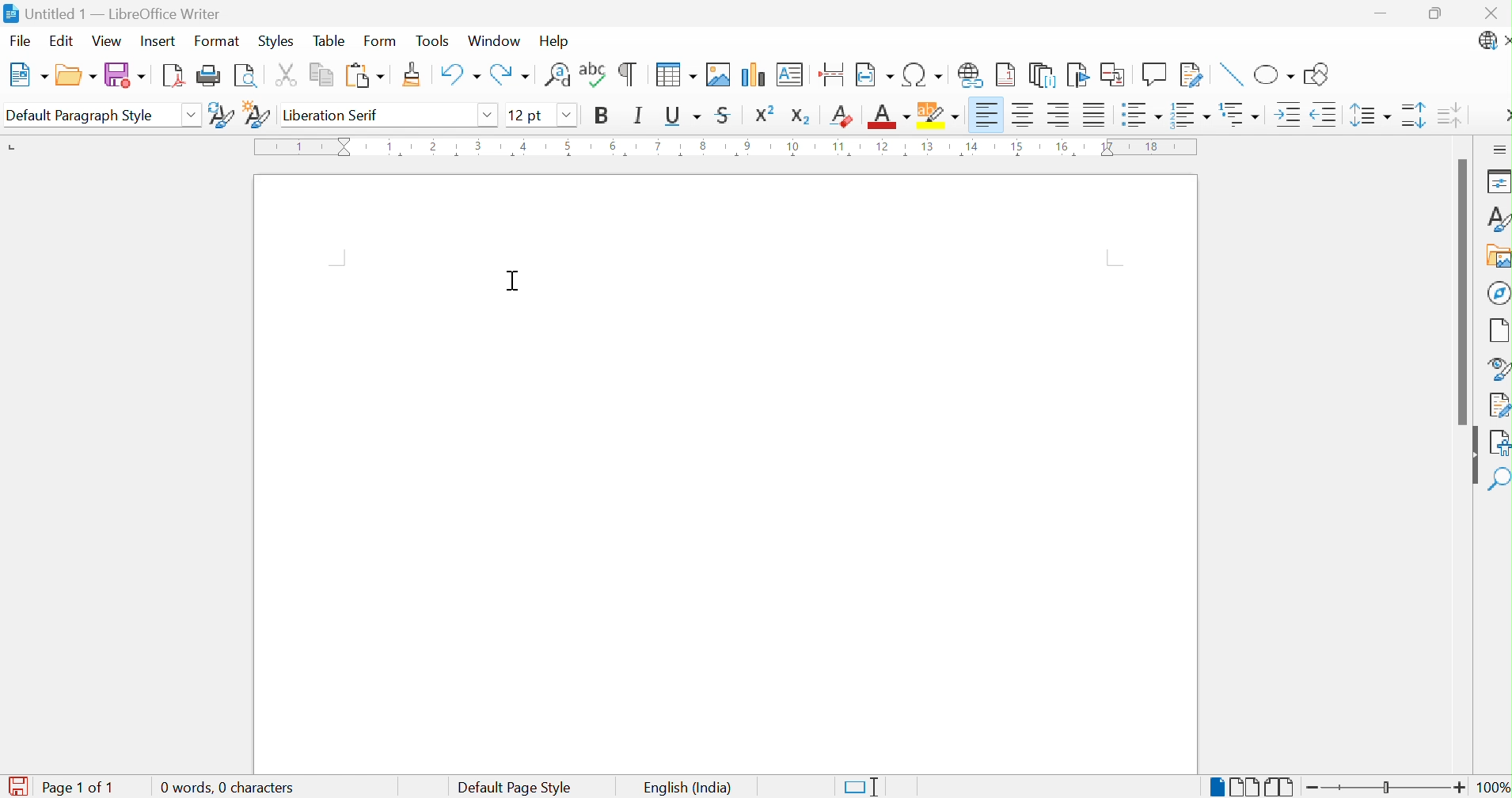  What do you see at coordinates (1382, 13) in the screenshot?
I see `Minimize` at bounding box center [1382, 13].